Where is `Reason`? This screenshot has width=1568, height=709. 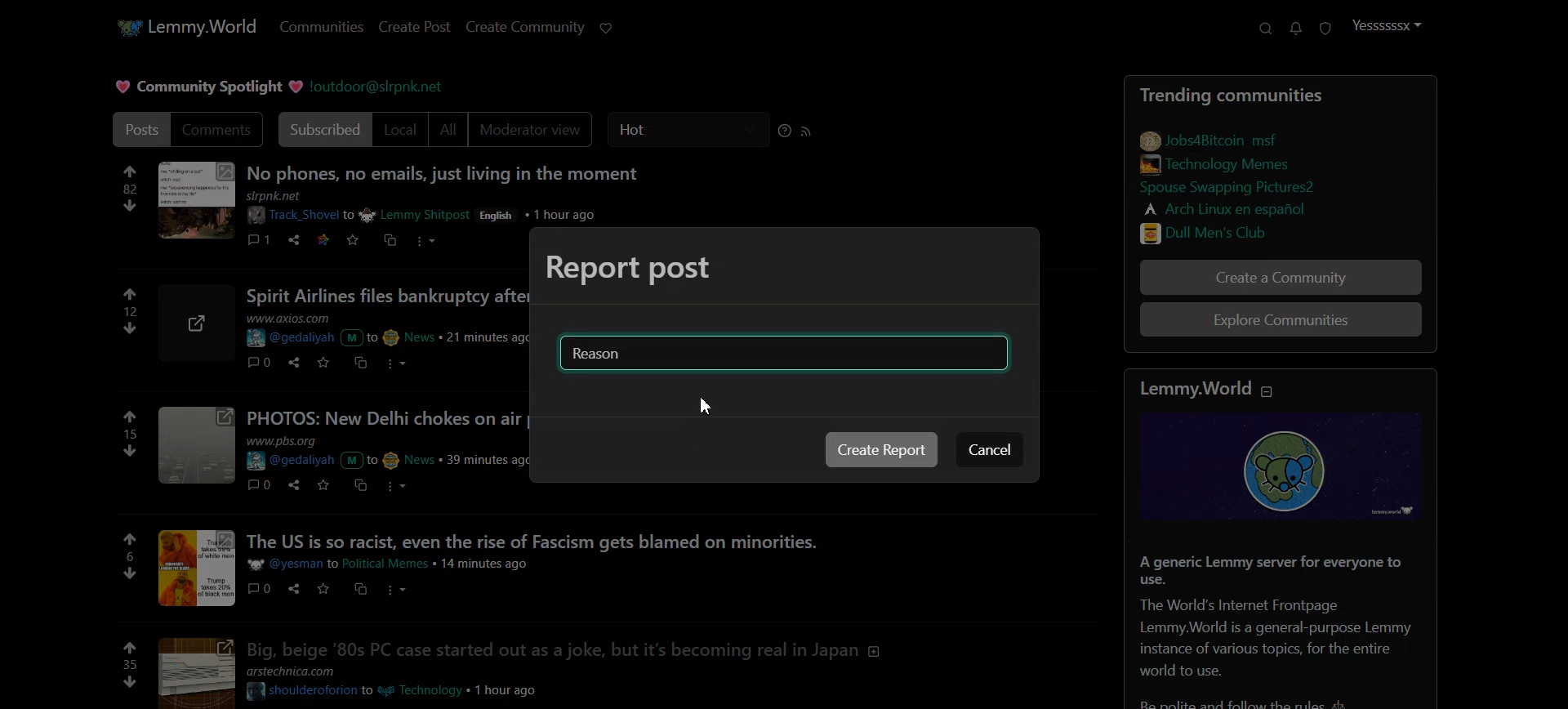 Reason is located at coordinates (792, 353).